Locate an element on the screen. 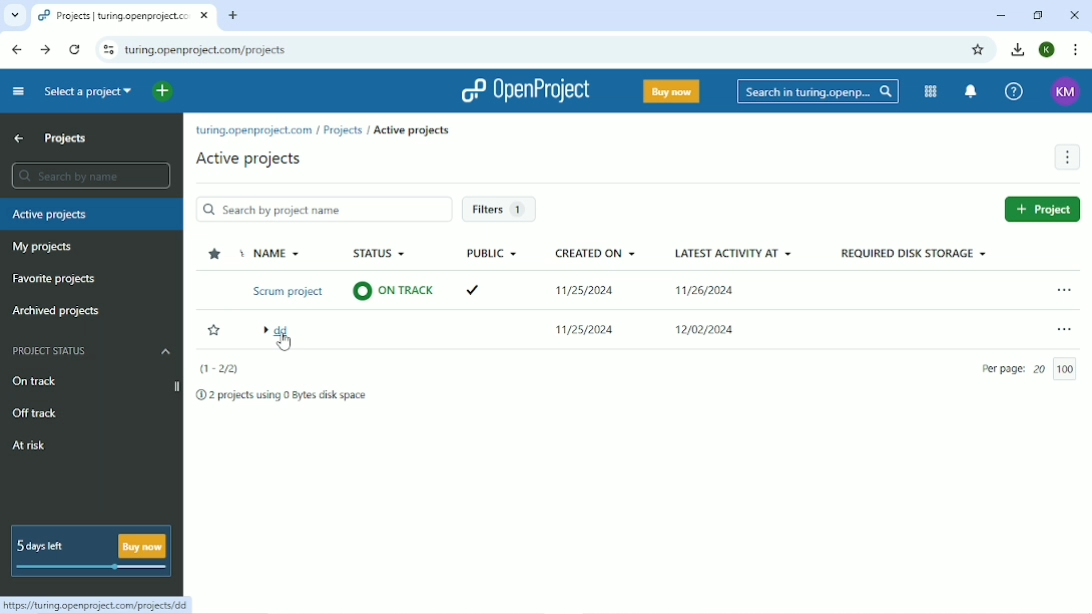  Site is located at coordinates (211, 50).